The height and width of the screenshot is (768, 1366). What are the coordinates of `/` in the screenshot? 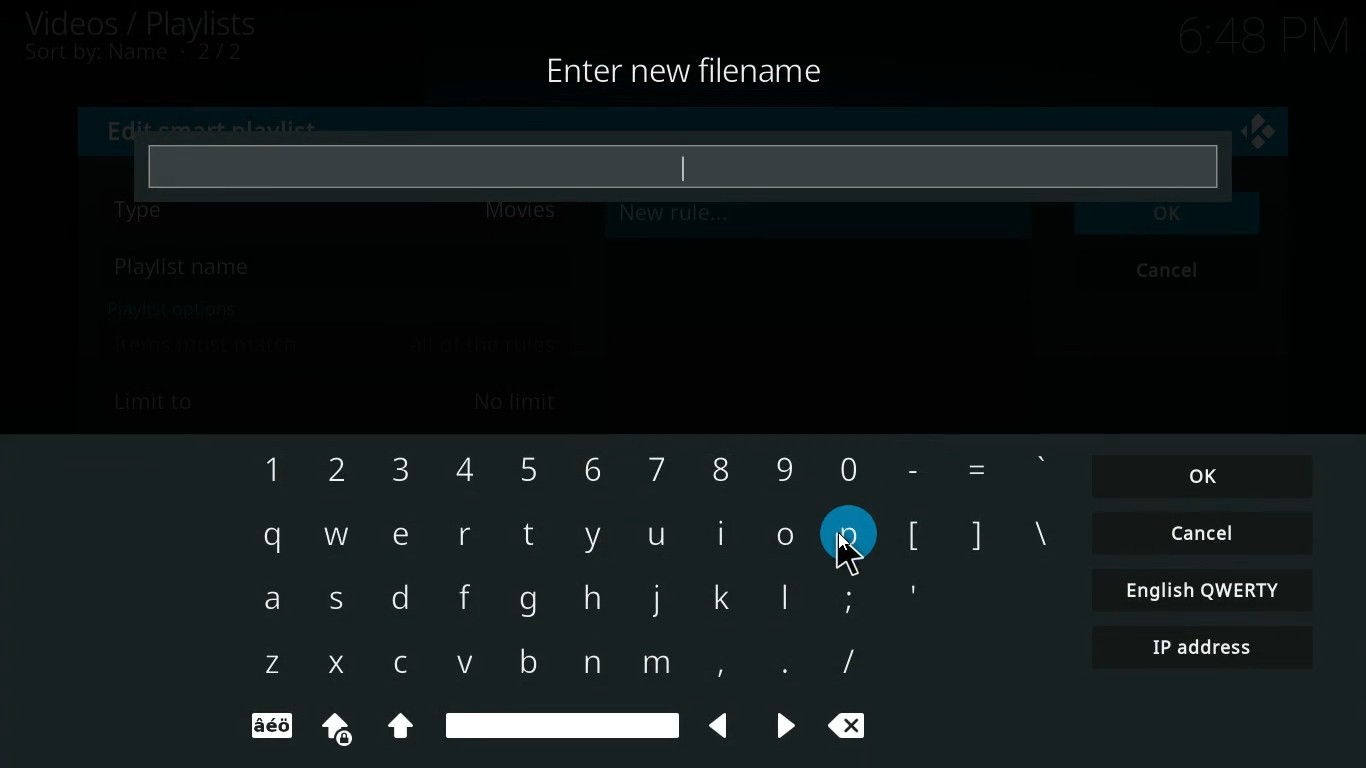 It's located at (848, 662).